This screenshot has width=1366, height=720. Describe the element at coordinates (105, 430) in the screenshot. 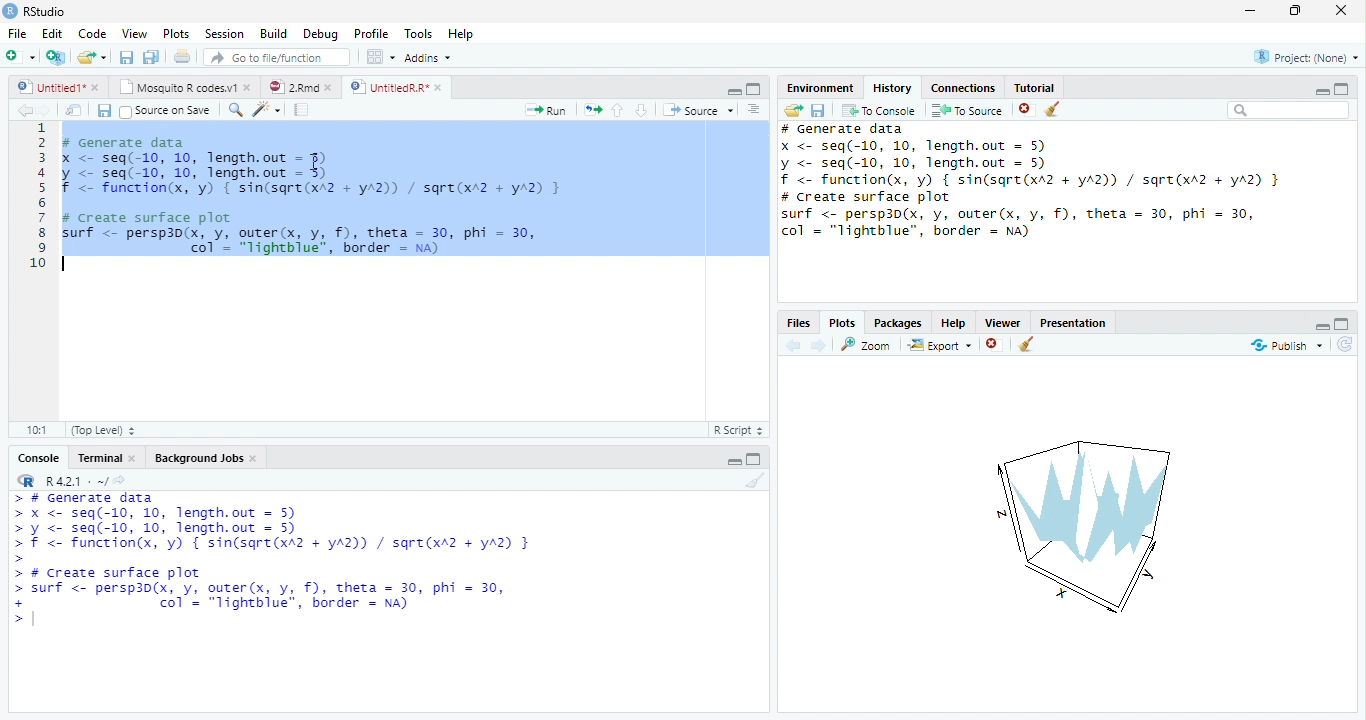

I see `(Top Level)` at that location.